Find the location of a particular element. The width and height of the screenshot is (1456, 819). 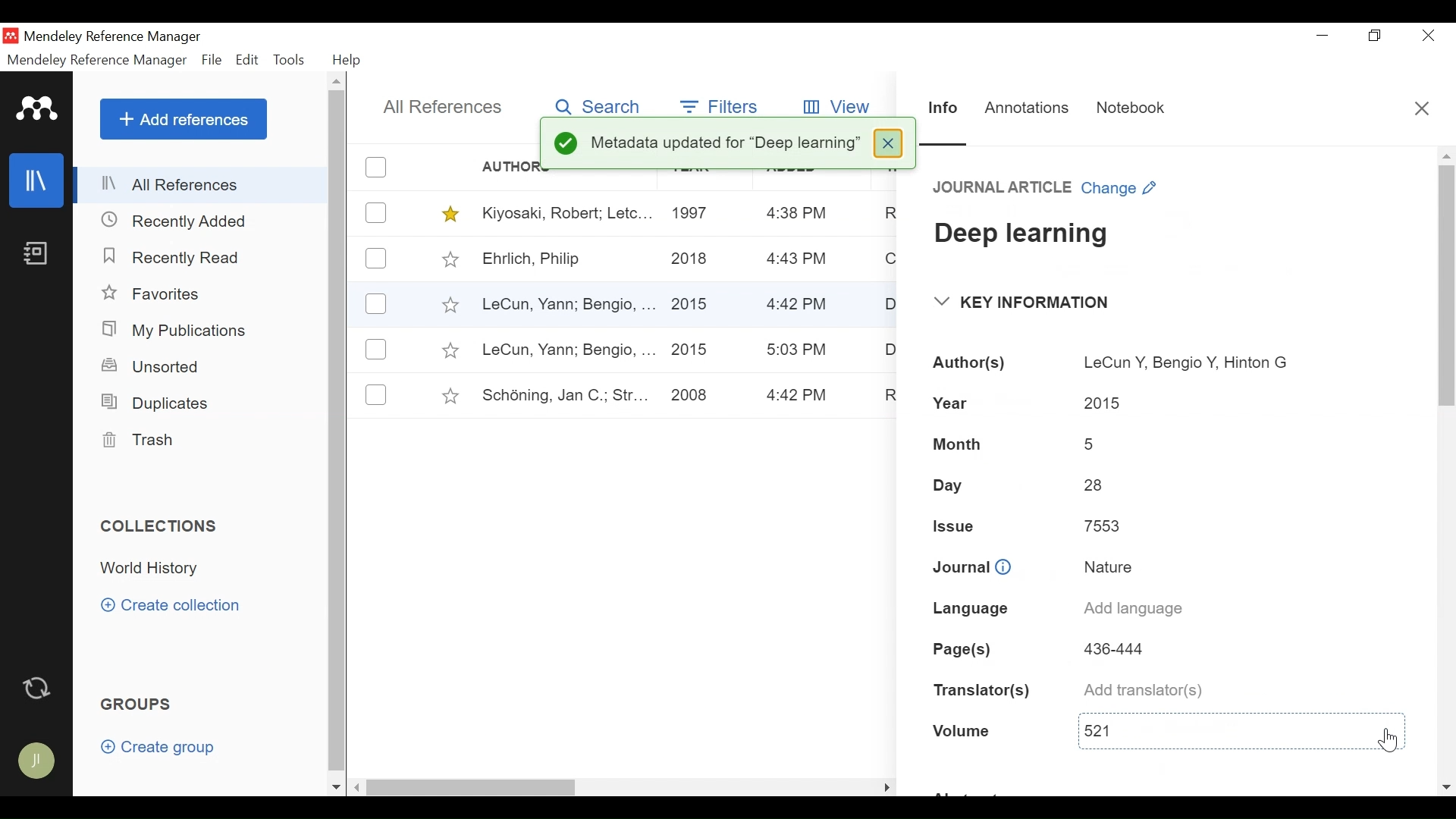

All References is located at coordinates (202, 184).